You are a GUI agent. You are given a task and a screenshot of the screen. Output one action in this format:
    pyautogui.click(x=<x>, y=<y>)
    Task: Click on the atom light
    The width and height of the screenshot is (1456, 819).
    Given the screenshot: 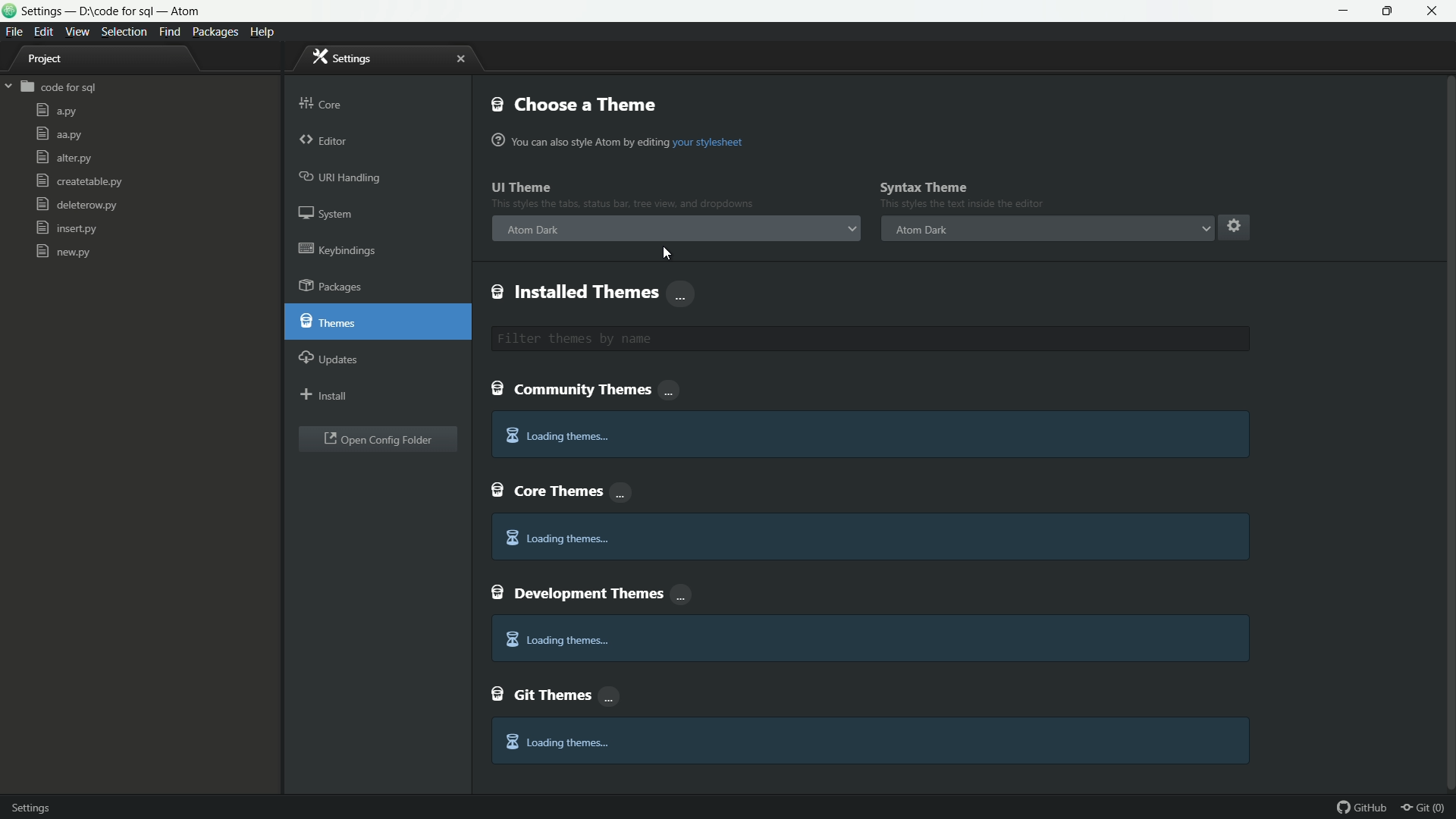 What is the action you would take?
    pyautogui.click(x=534, y=231)
    